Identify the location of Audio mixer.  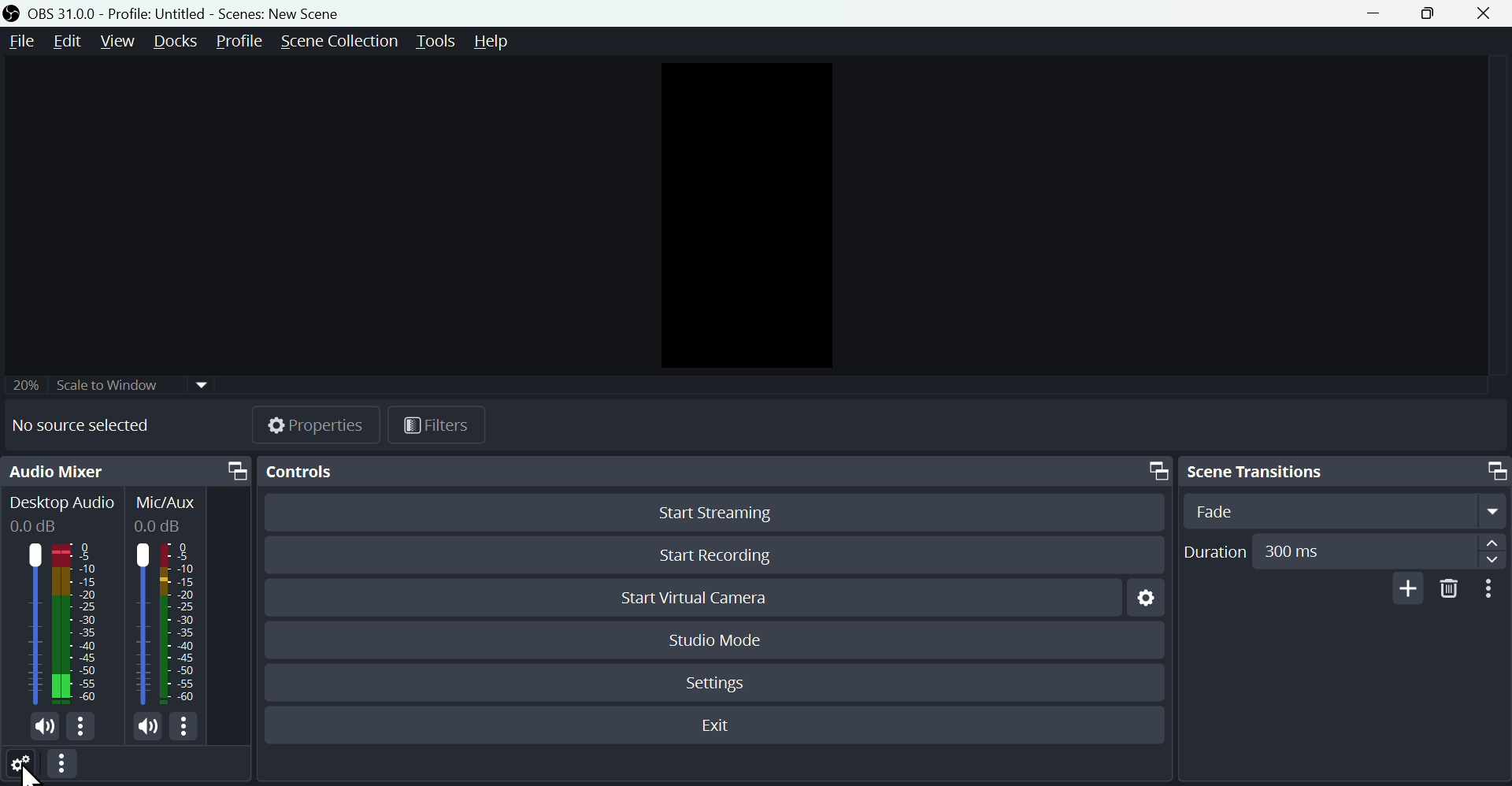
(127, 467).